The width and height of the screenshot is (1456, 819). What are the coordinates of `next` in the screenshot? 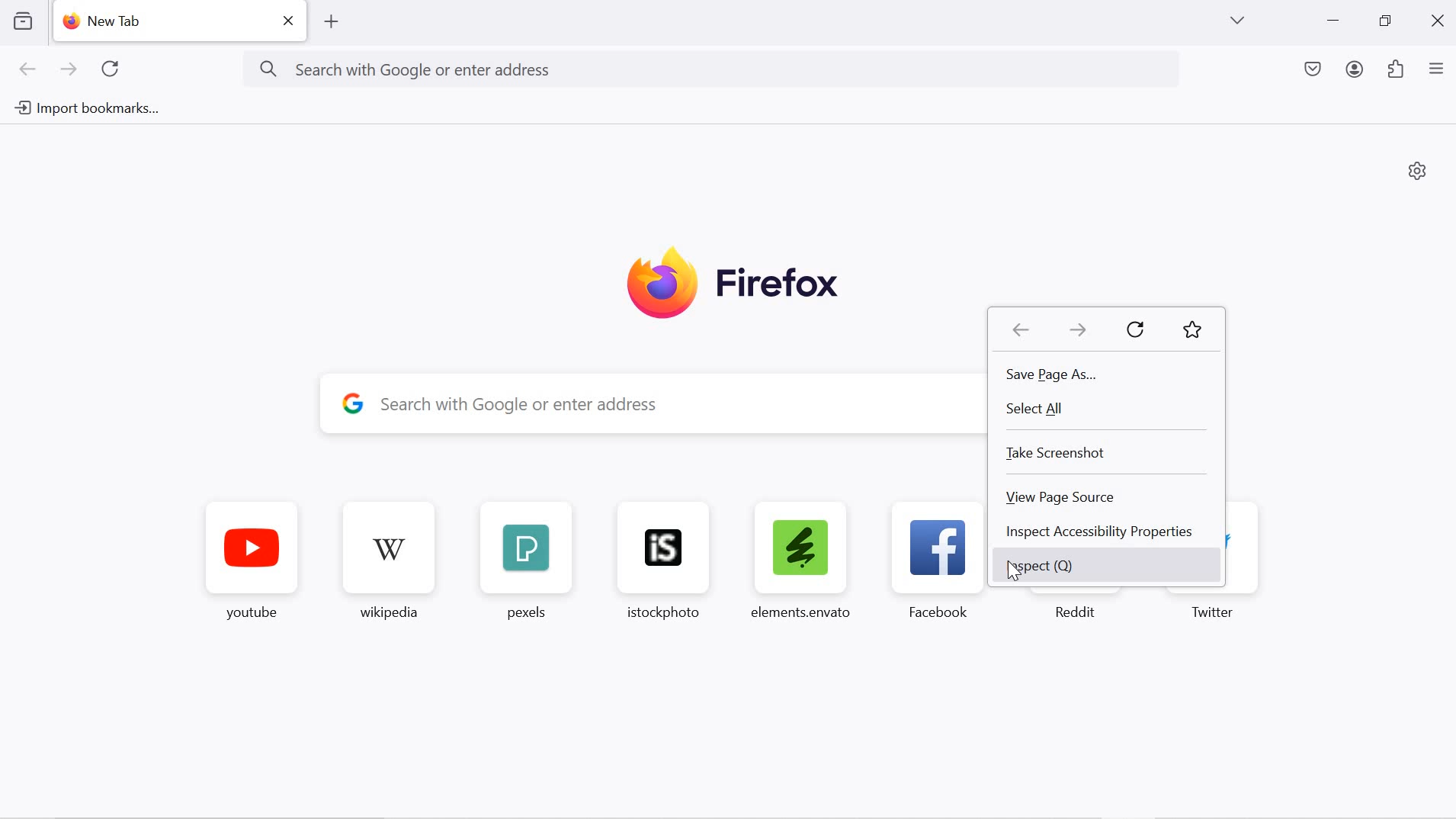 It's located at (1076, 331).